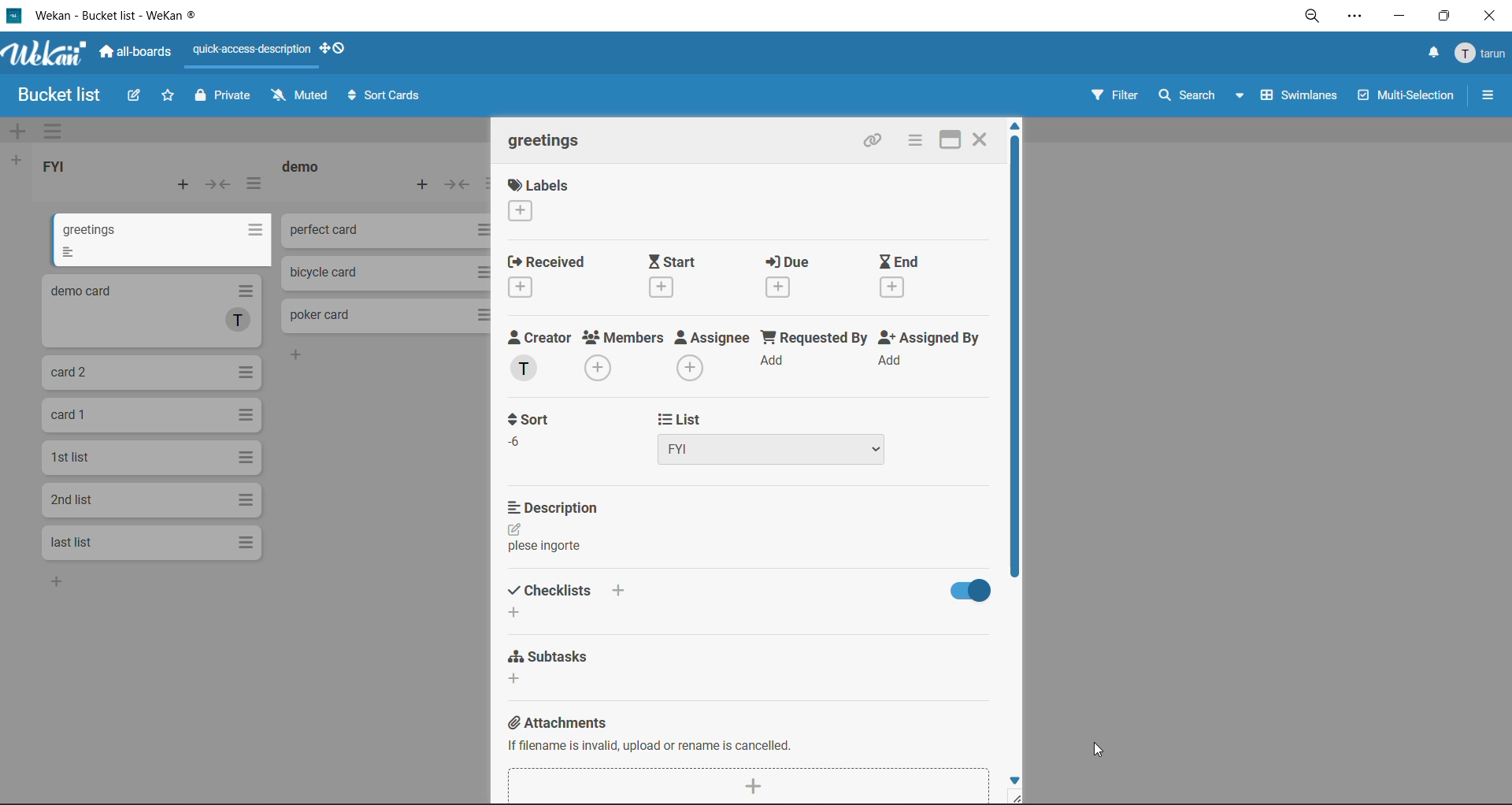 This screenshot has width=1512, height=805. I want to click on close, so click(1492, 14).